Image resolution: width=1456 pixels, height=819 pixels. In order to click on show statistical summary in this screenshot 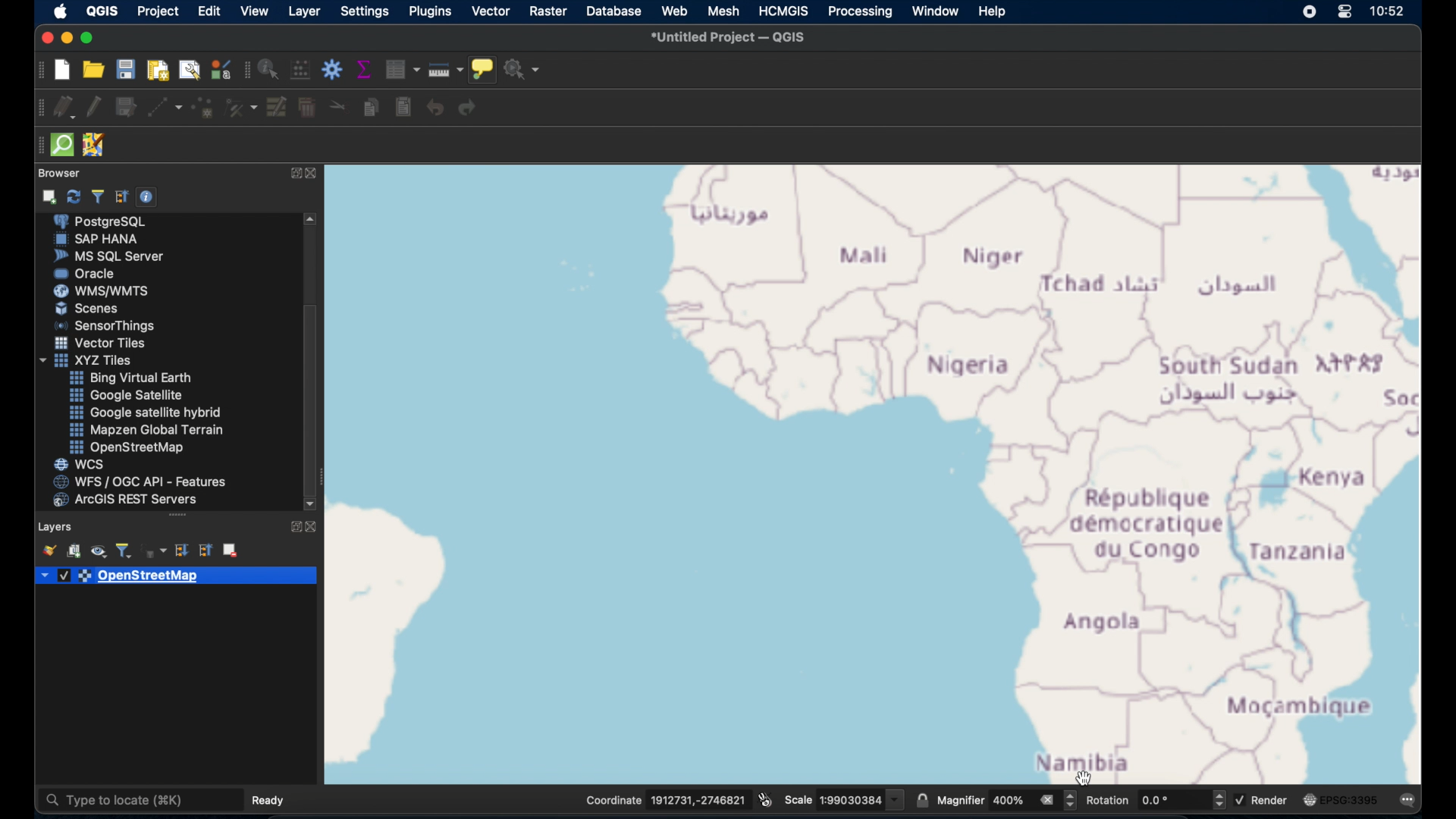, I will do `click(363, 70)`.